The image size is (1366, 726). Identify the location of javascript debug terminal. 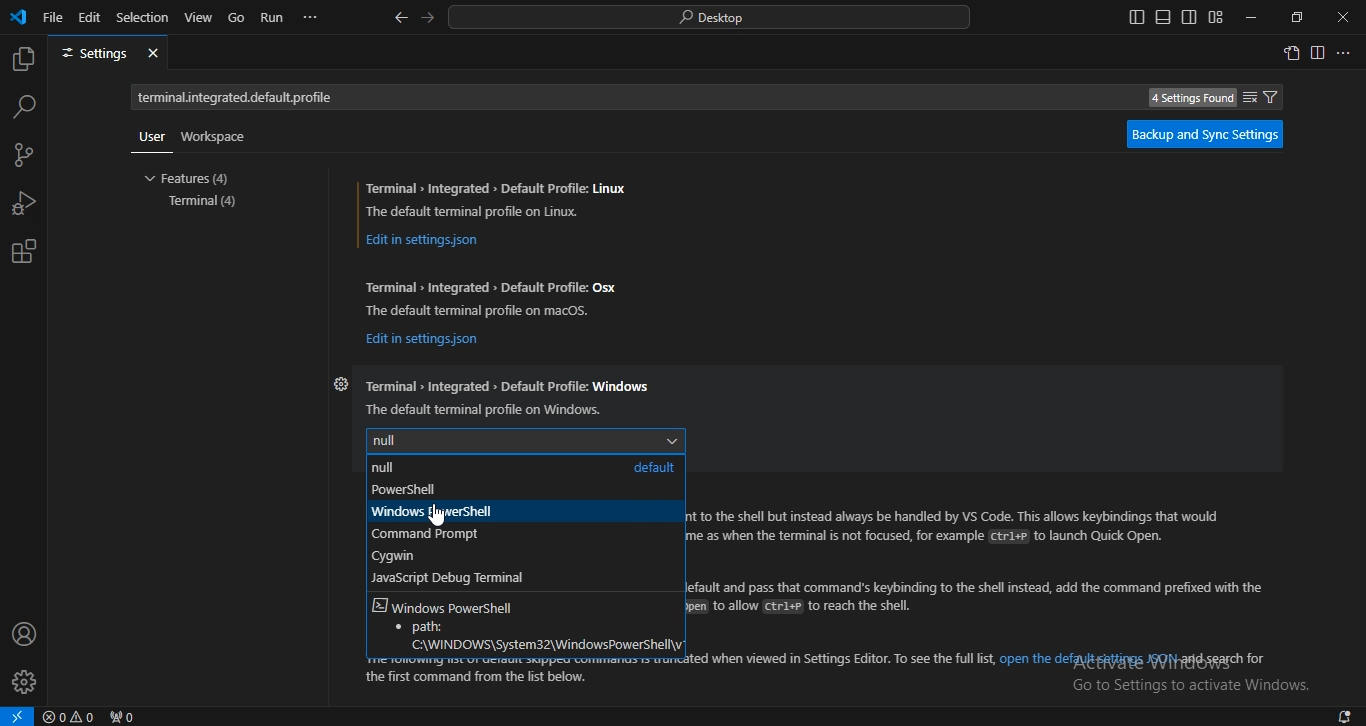
(447, 577).